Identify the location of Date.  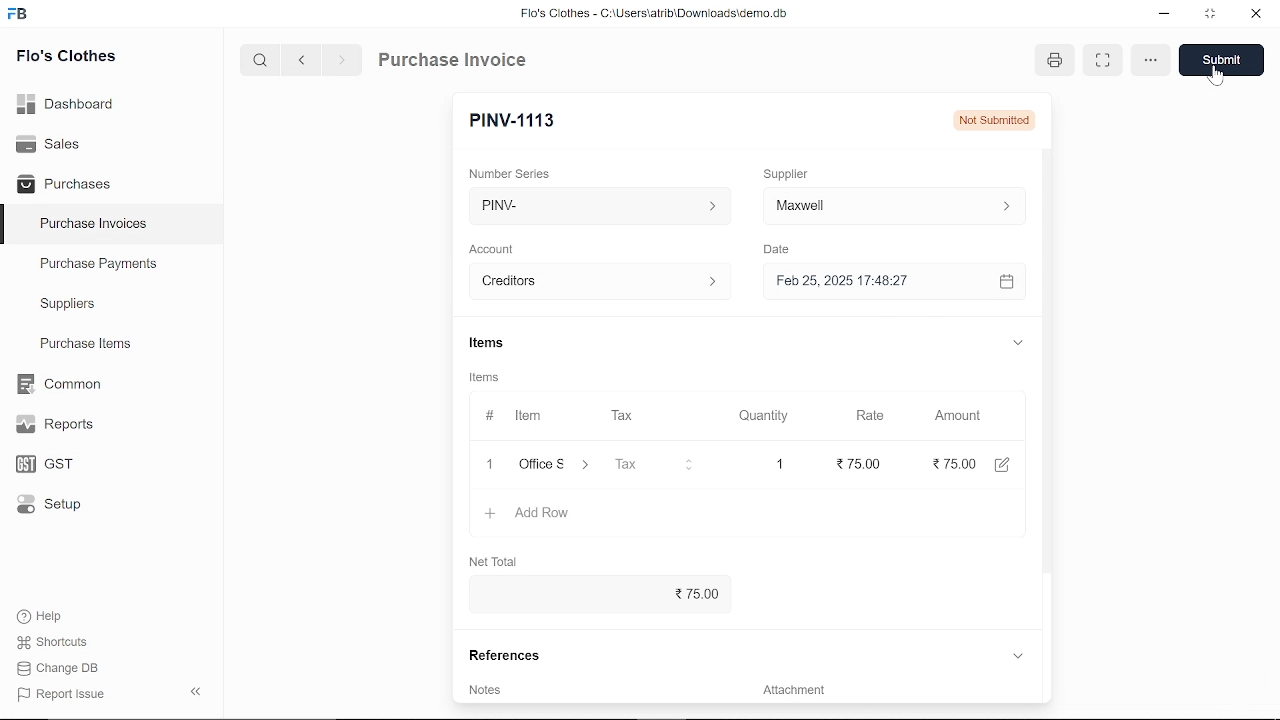
(782, 250).